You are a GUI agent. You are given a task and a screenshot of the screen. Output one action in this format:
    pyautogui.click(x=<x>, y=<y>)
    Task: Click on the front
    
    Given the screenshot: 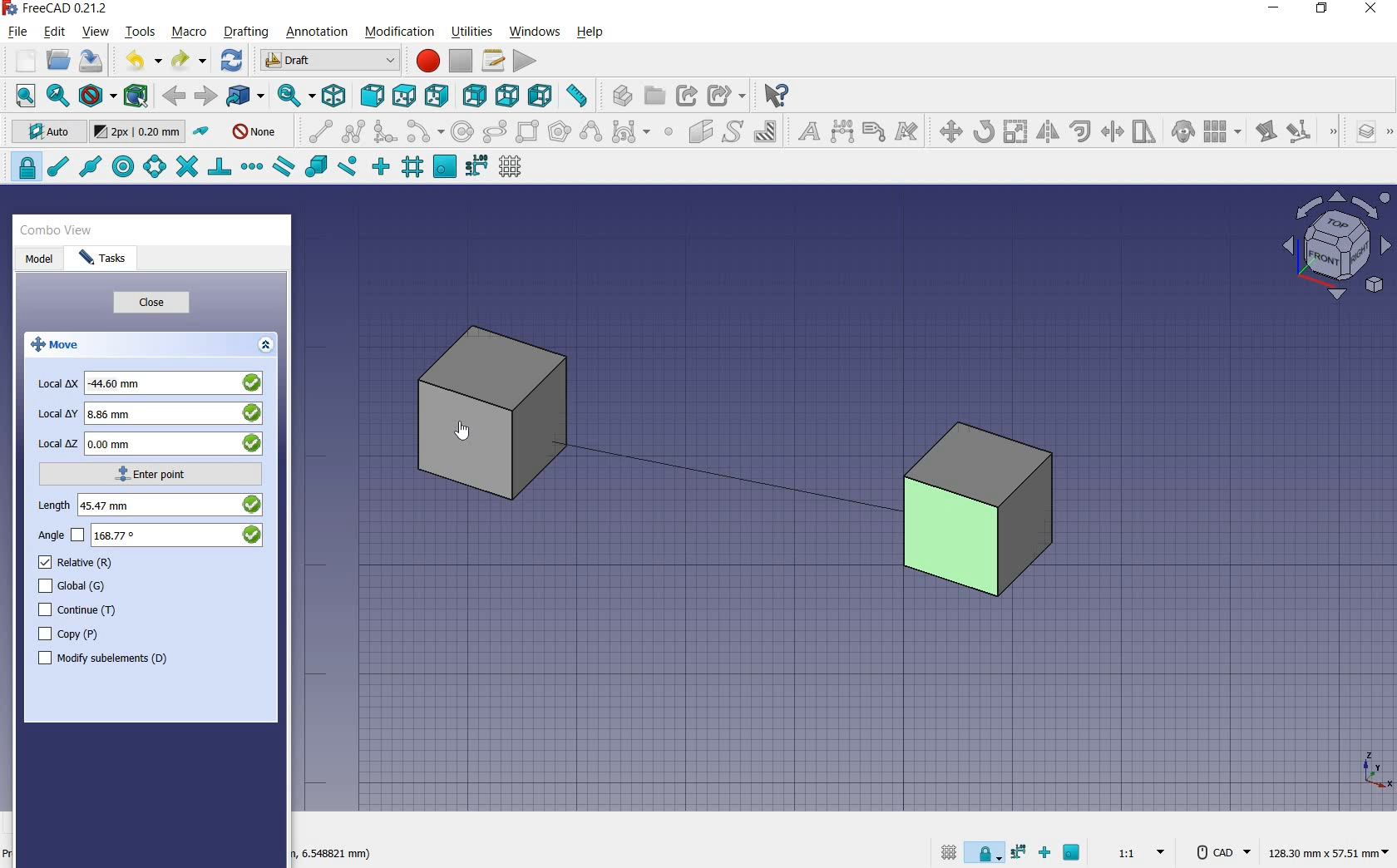 What is the action you would take?
    pyautogui.click(x=371, y=96)
    